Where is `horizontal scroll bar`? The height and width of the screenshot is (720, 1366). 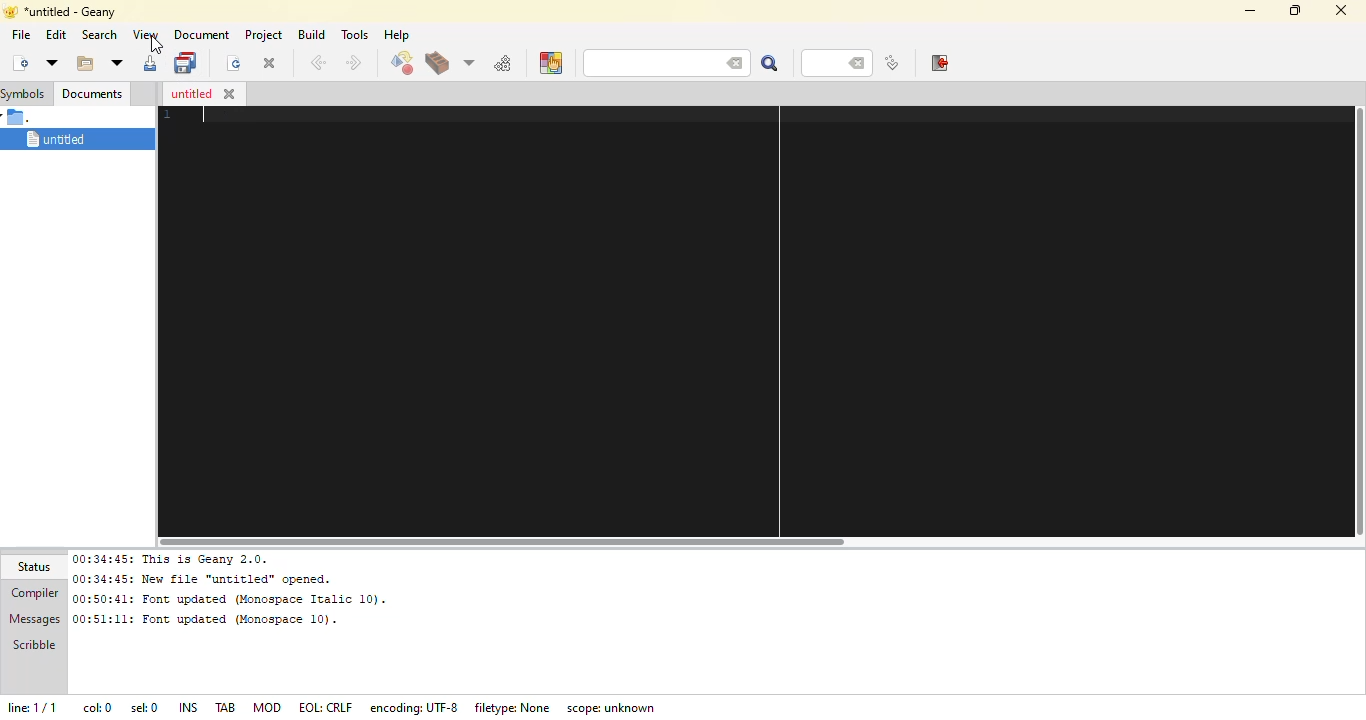
horizontal scroll bar is located at coordinates (518, 539).